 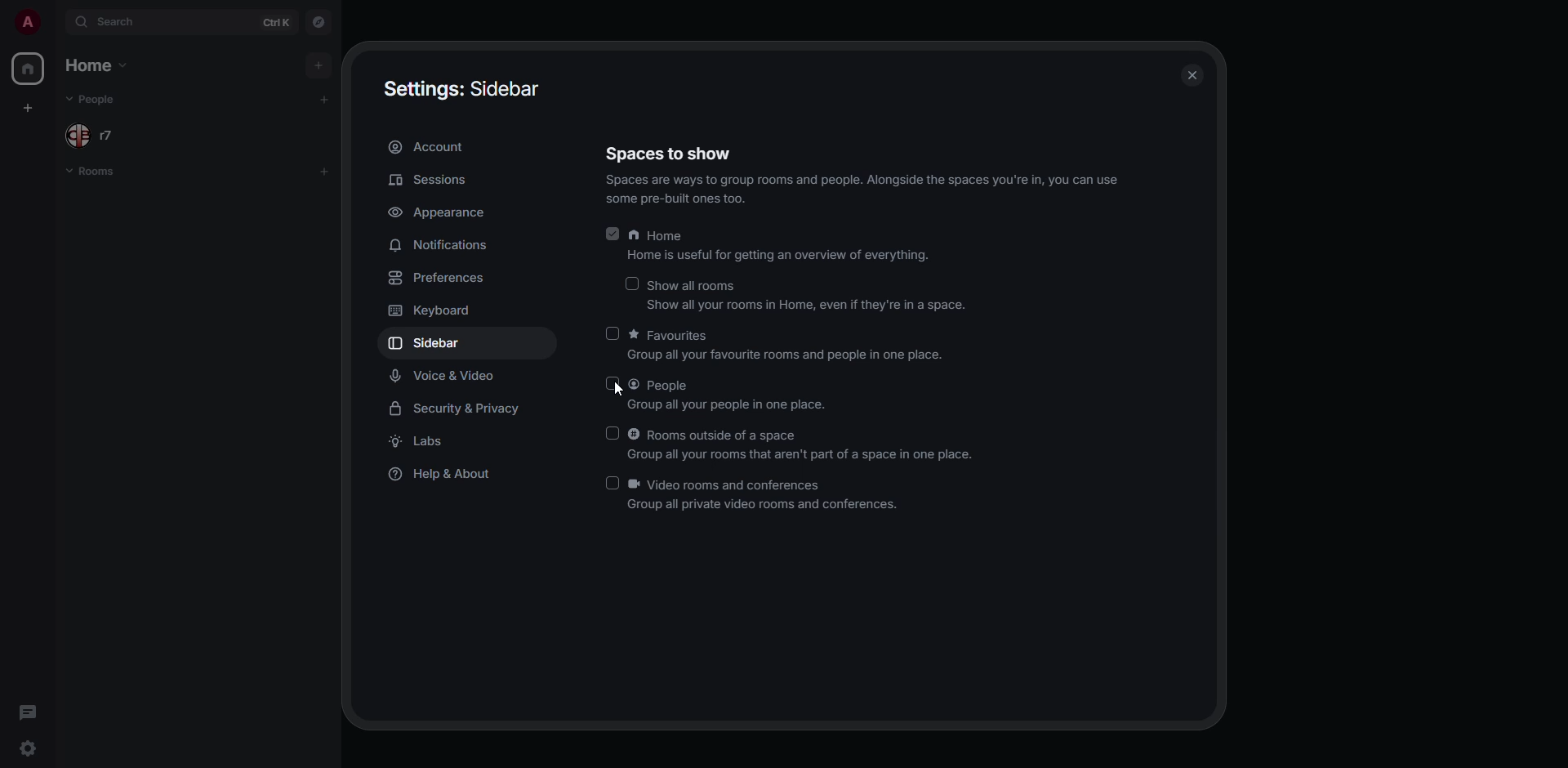 What do you see at coordinates (446, 475) in the screenshot?
I see `help & about` at bounding box center [446, 475].